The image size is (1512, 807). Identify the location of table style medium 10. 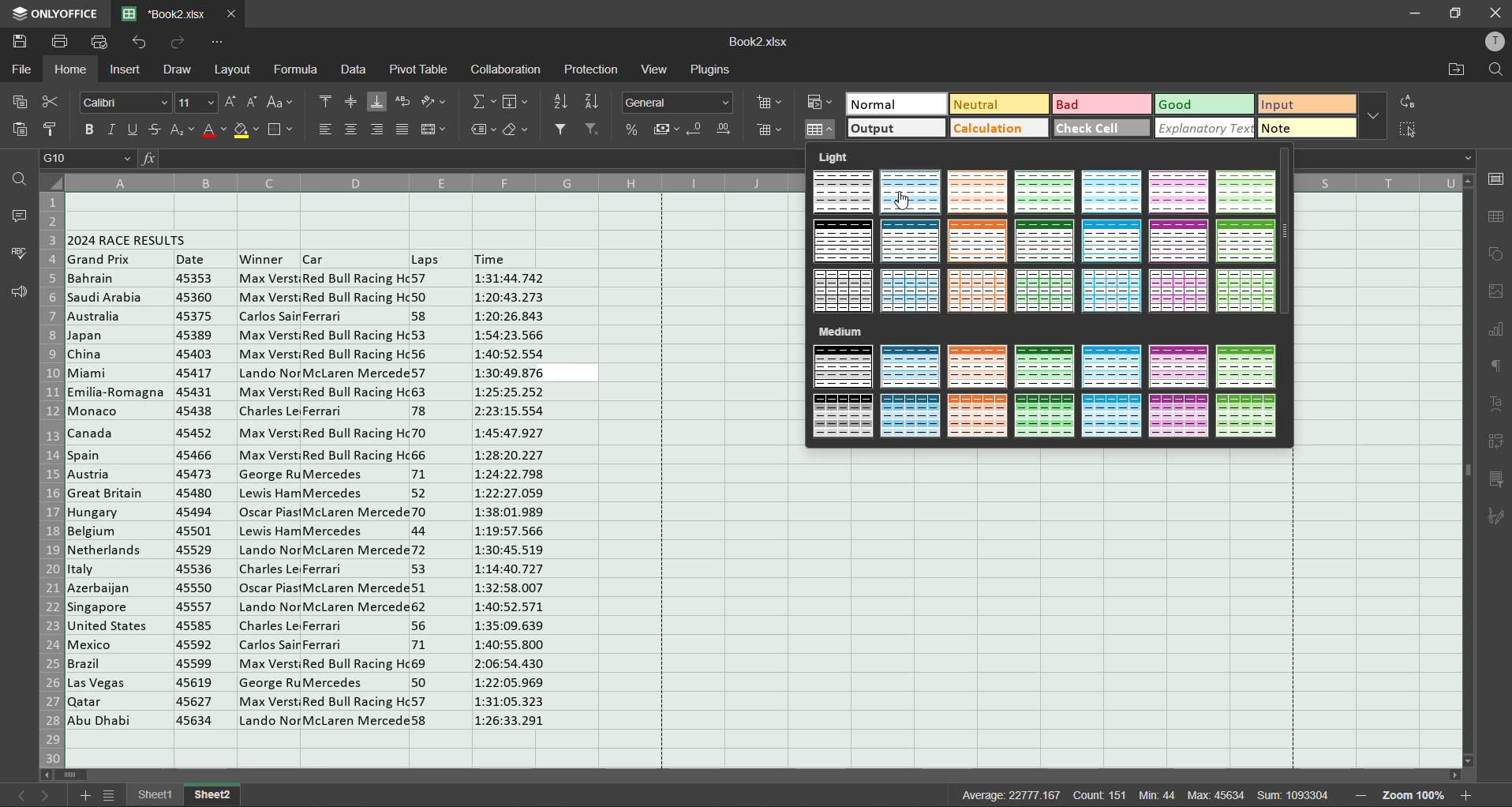
(979, 415).